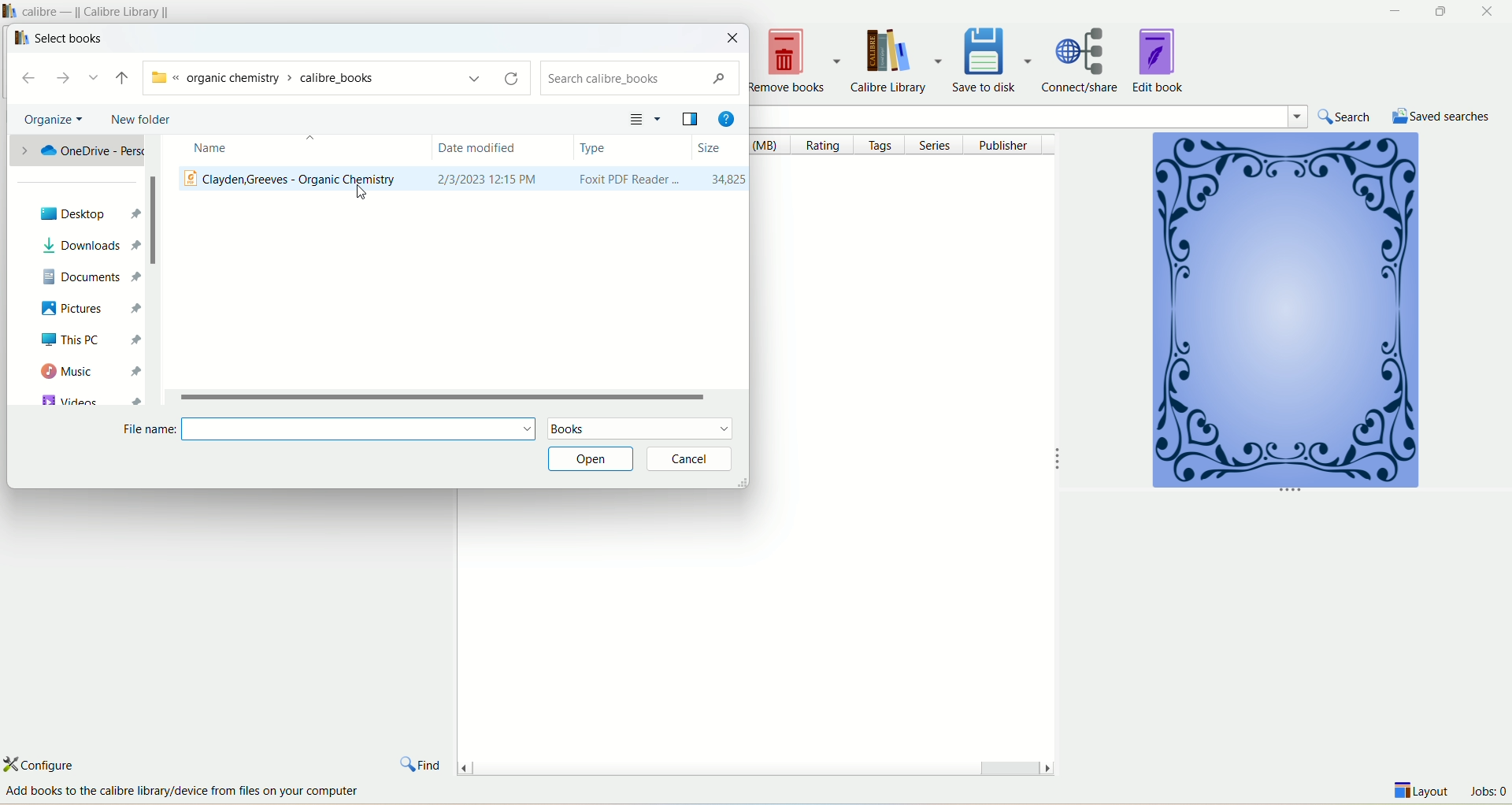  Describe the element at coordinates (120, 78) in the screenshot. I see `upto` at that location.